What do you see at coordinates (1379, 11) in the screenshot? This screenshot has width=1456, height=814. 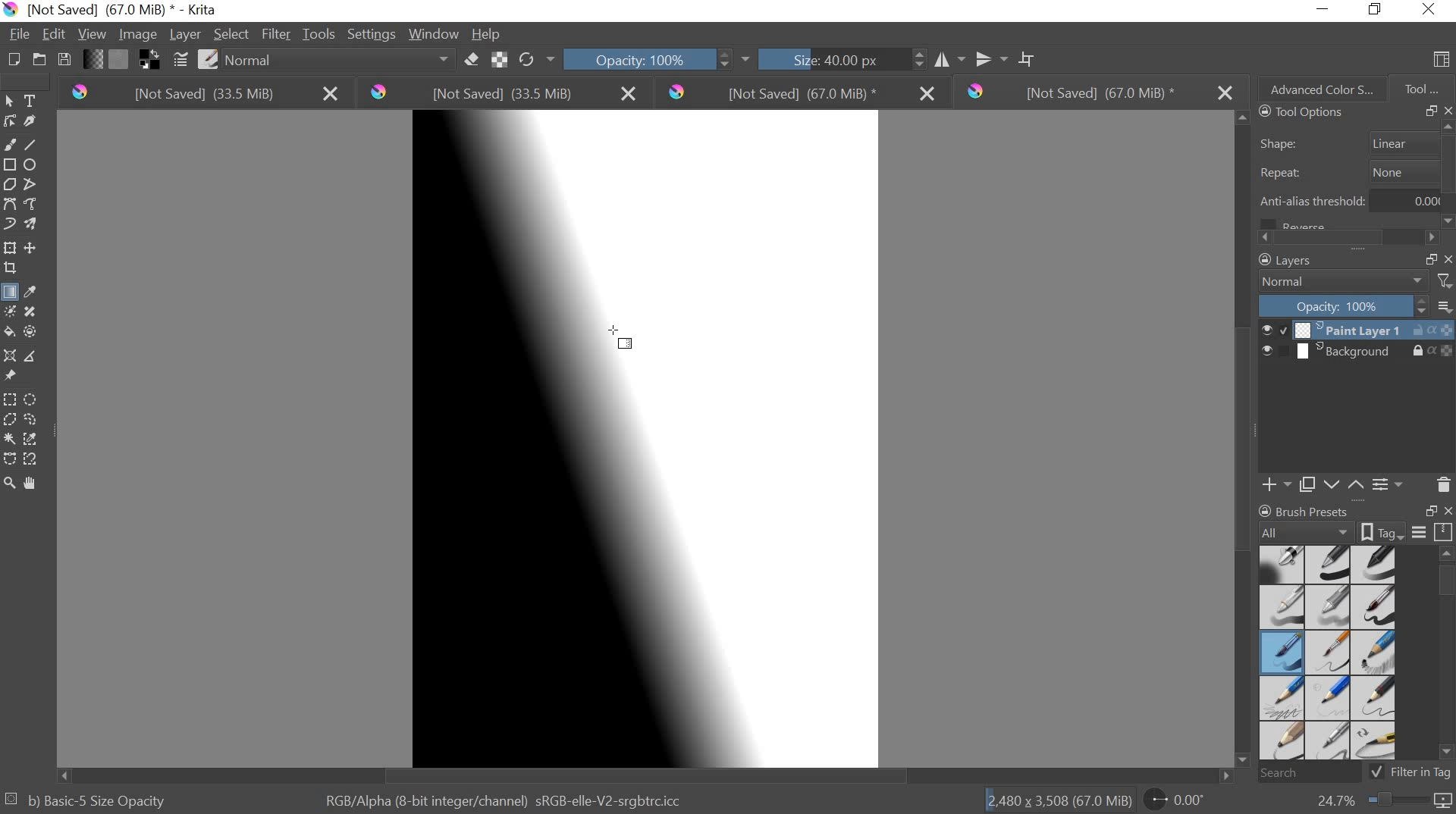 I see `RESTORE DOWN` at bounding box center [1379, 11].